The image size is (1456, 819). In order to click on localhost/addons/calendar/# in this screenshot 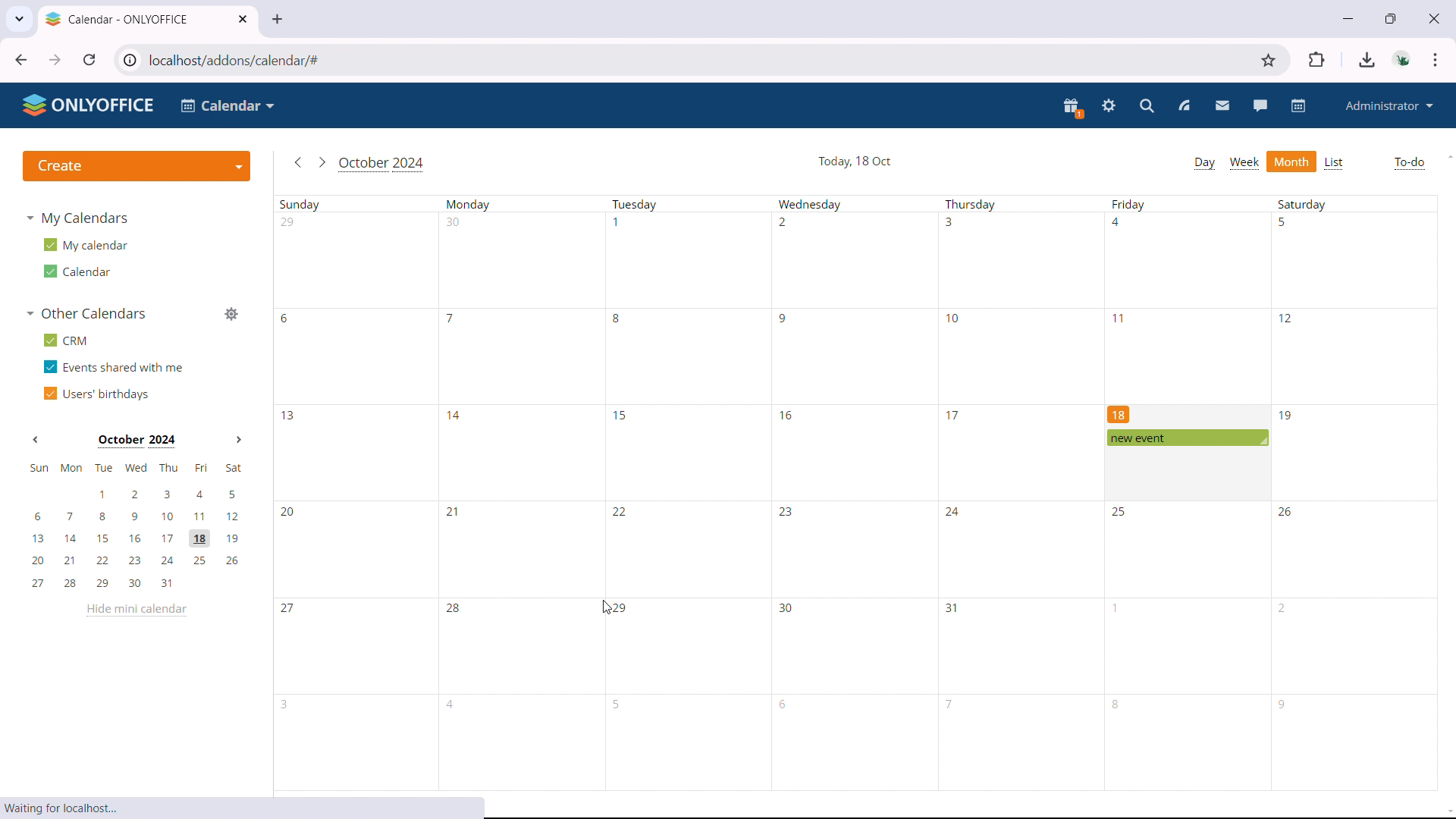, I will do `click(247, 60)`.